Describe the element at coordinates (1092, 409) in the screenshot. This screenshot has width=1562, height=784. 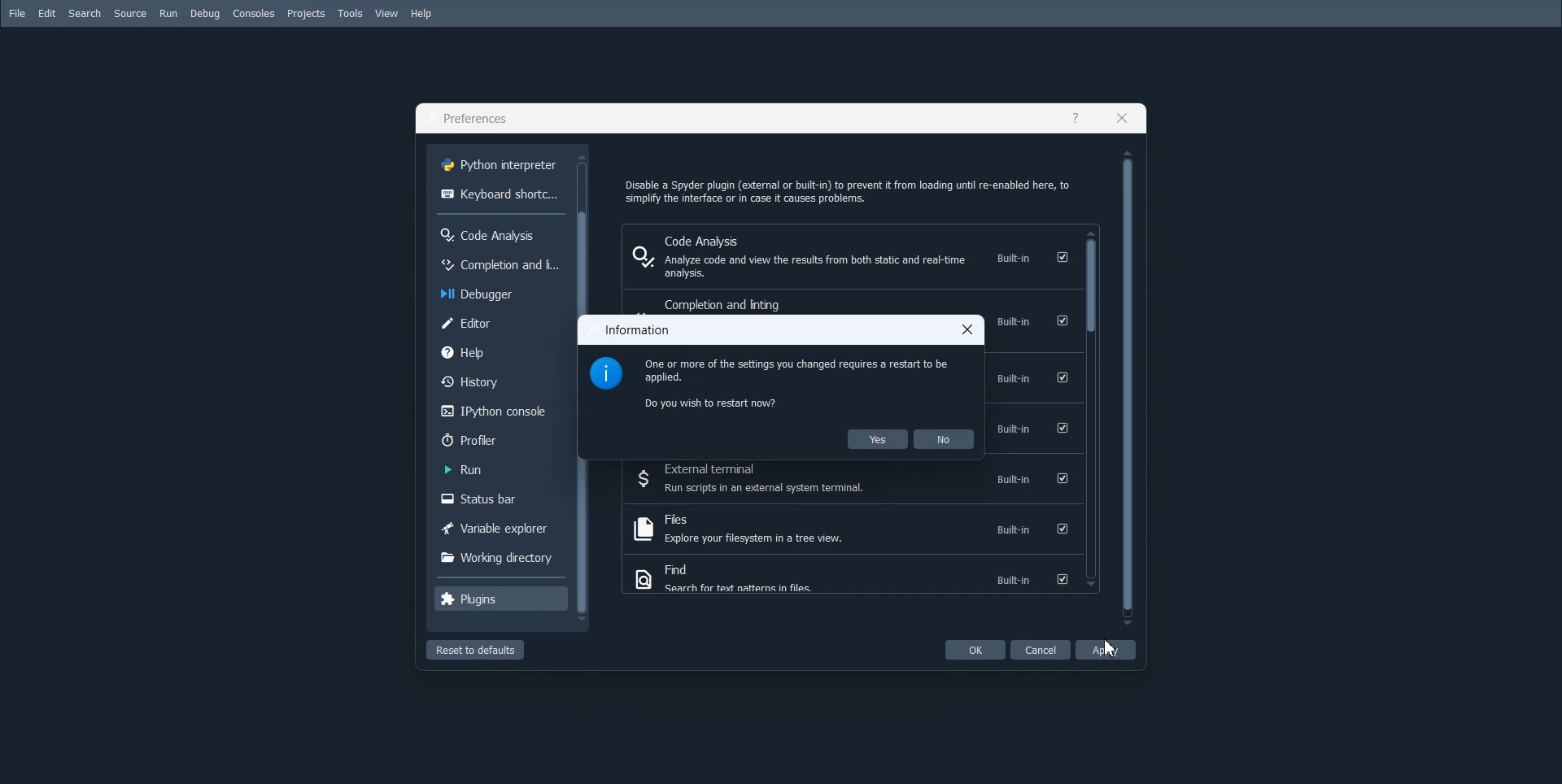
I see `Vertical scroll bar` at that location.